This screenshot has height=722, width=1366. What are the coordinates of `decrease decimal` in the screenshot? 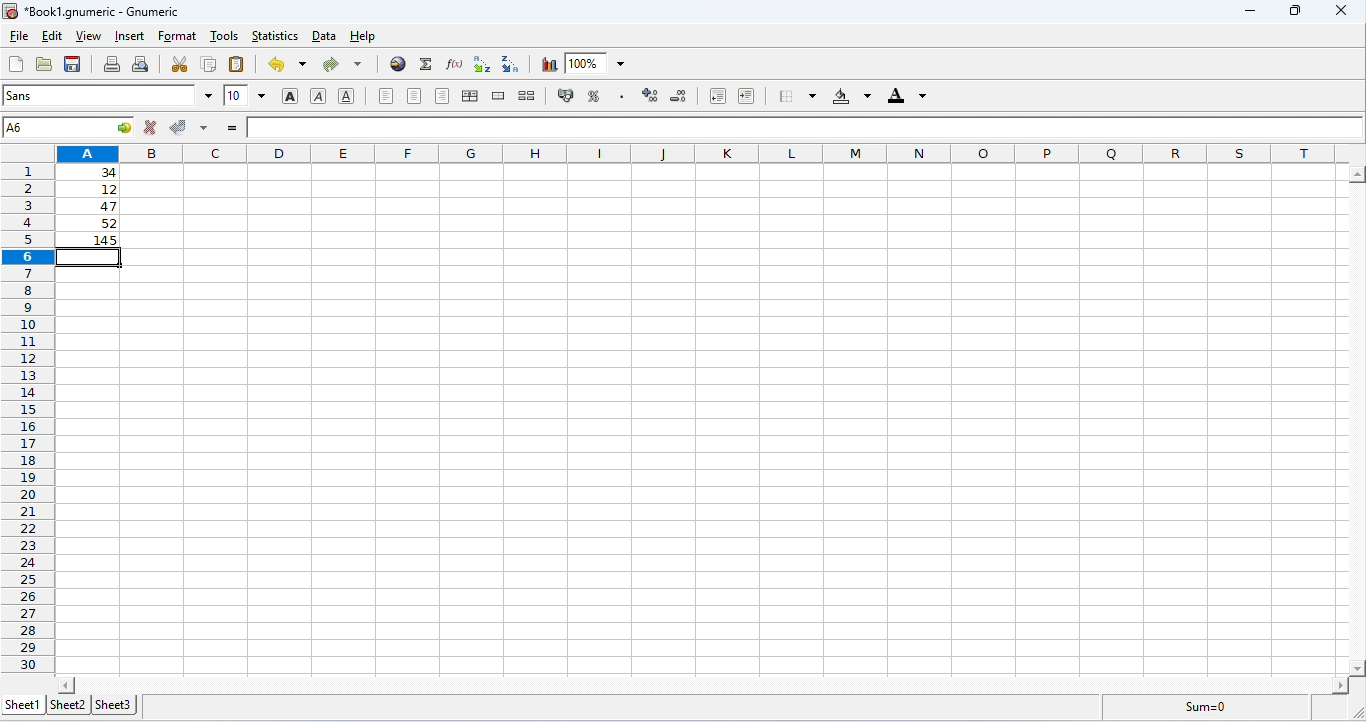 It's located at (650, 95).